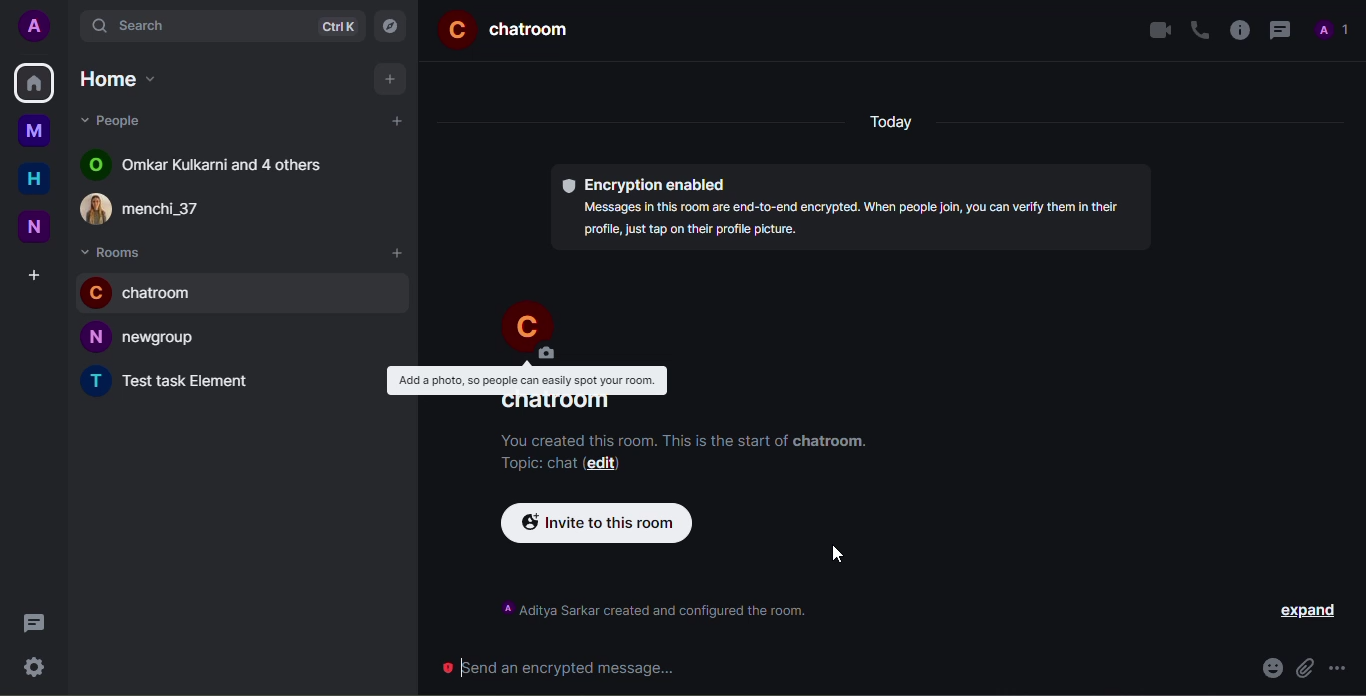 This screenshot has width=1366, height=696. I want to click on more, so click(1339, 667).